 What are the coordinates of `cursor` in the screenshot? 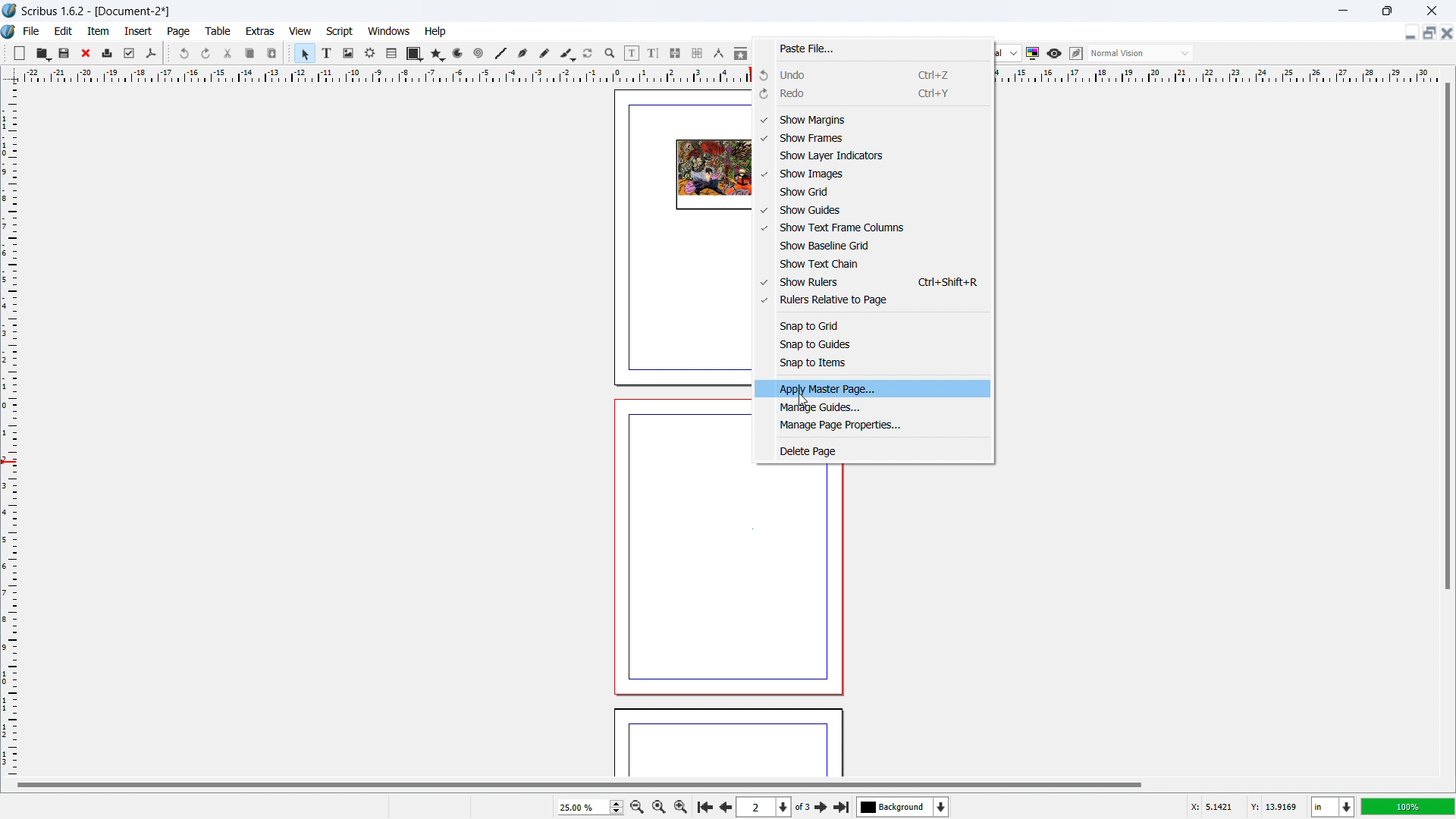 It's located at (803, 397).